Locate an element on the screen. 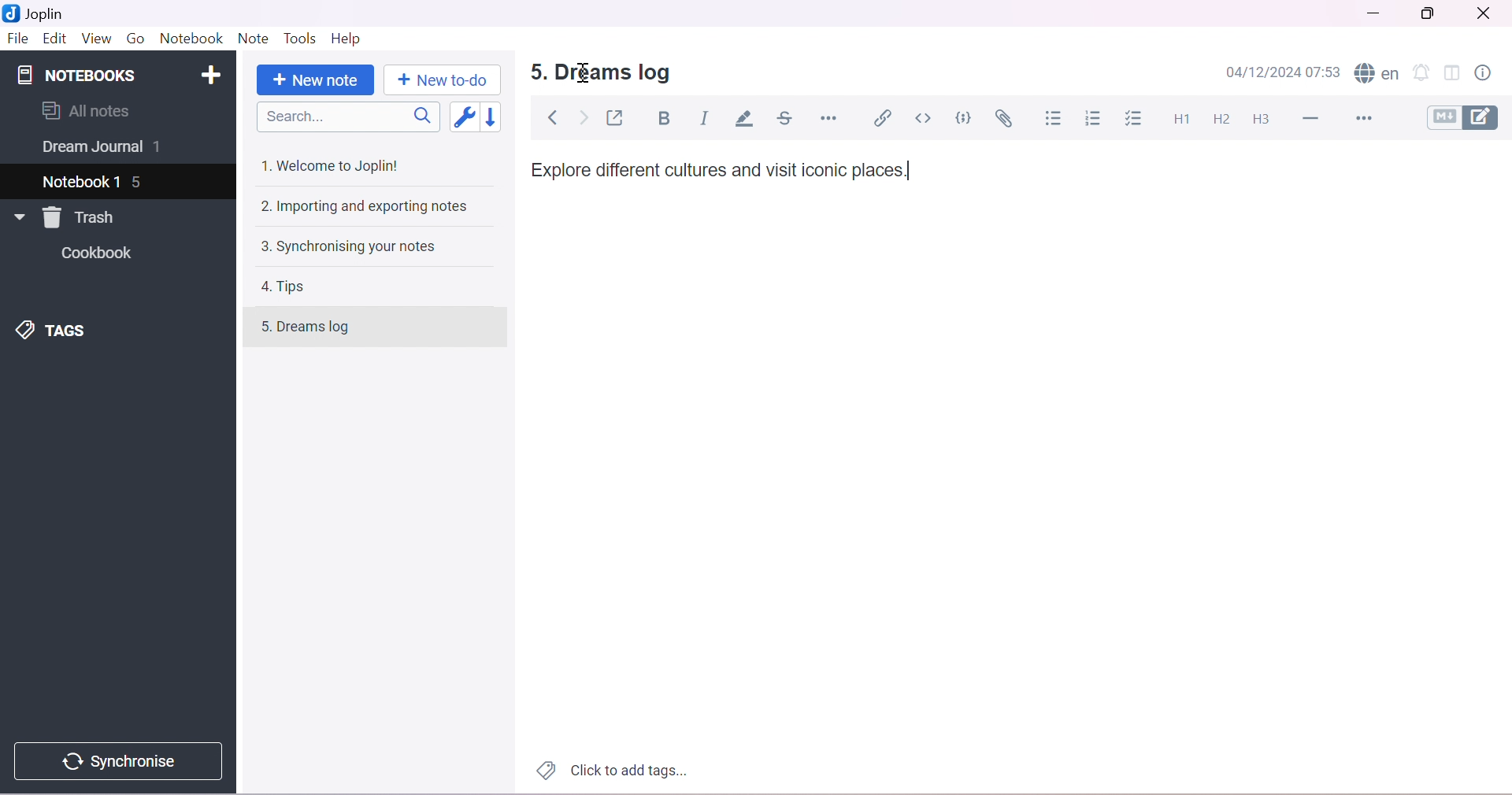 This screenshot has width=1512, height=795. 04/12/2024 07:53 is located at coordinates (1287, 72).